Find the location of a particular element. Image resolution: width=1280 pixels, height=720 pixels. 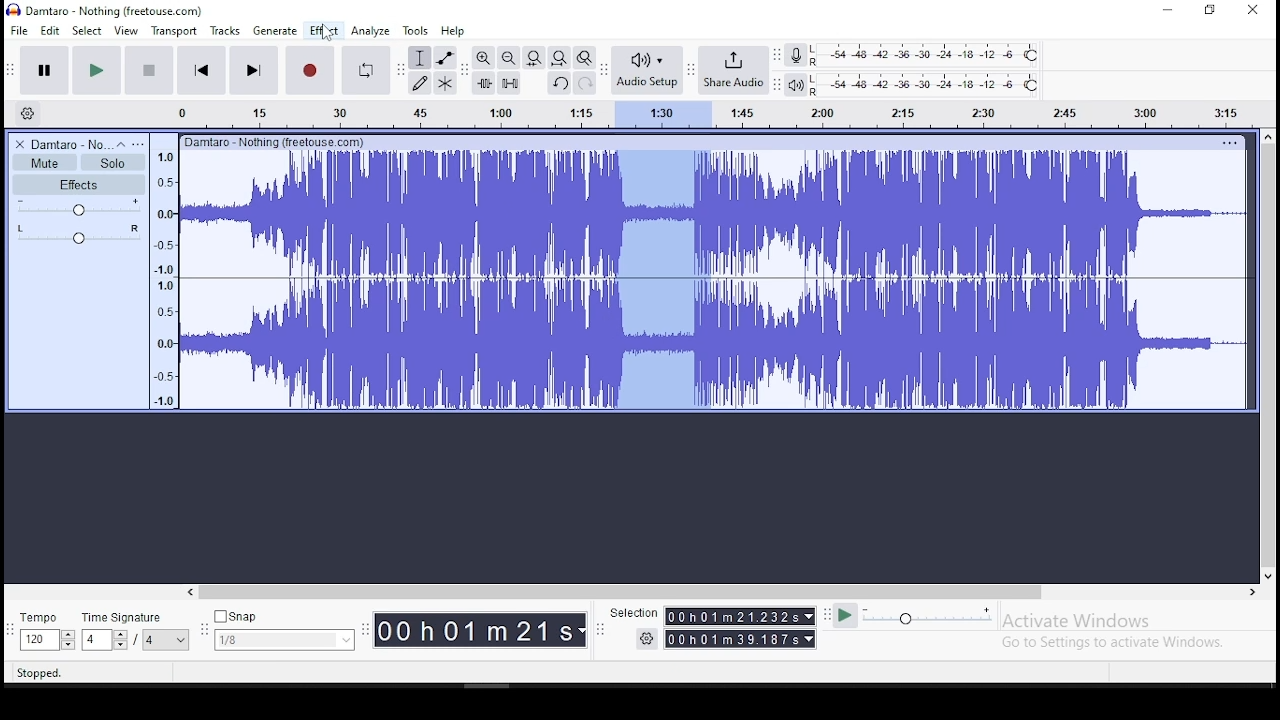

drop down is located at coordinates (811, 639).